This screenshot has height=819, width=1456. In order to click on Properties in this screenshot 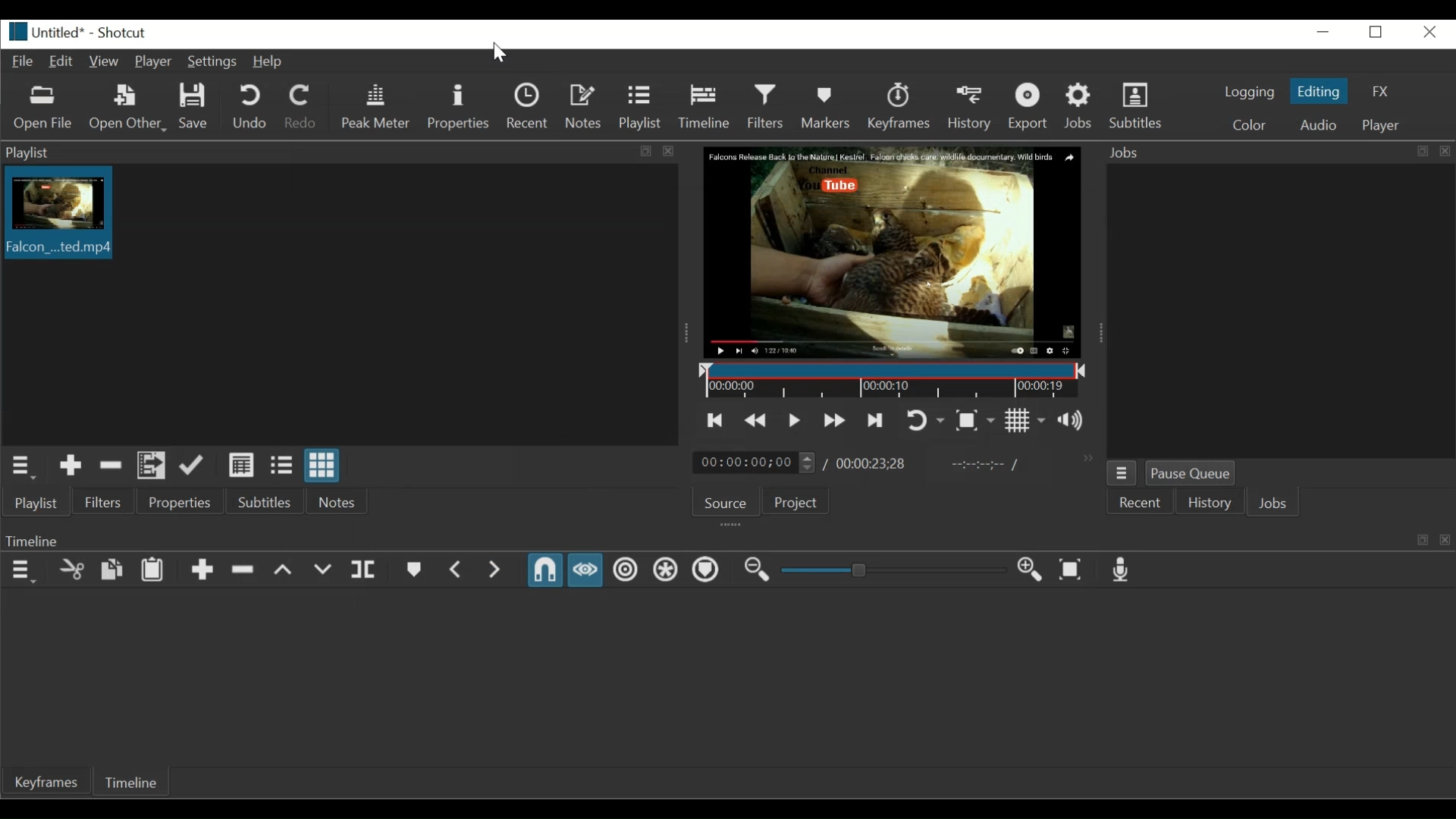, I will do `click(178, 500)`.